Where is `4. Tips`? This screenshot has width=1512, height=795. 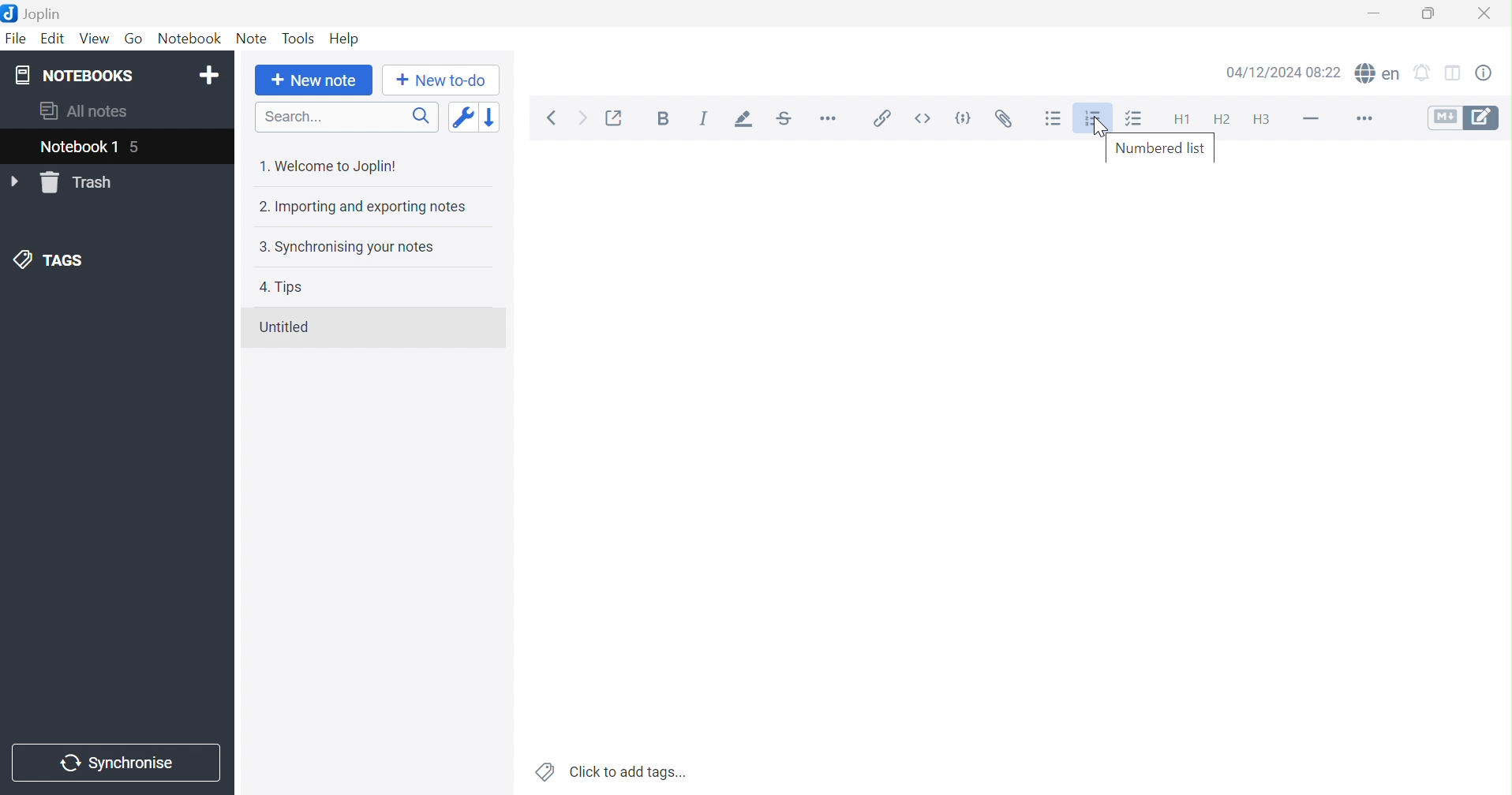
4. Tips is located at coordinates (281, 287).